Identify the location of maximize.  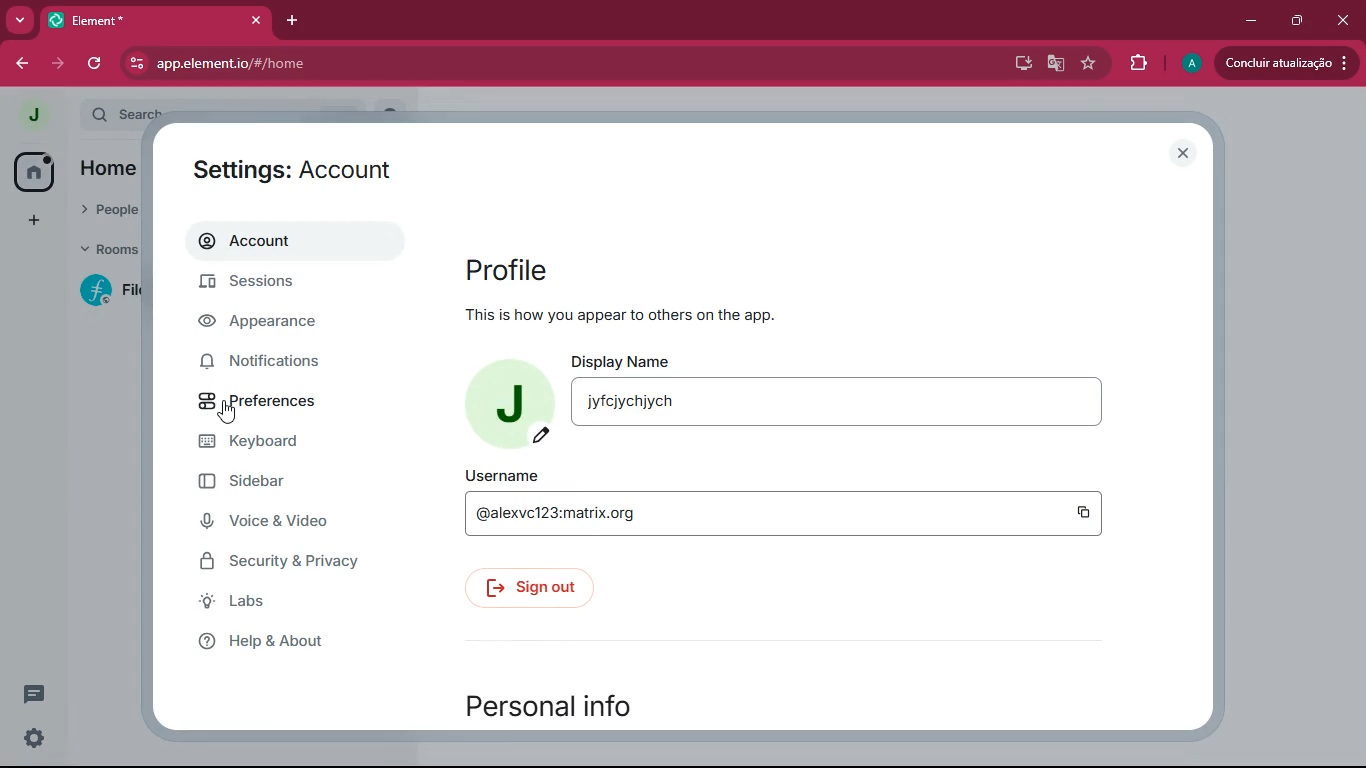
(1293, 22).